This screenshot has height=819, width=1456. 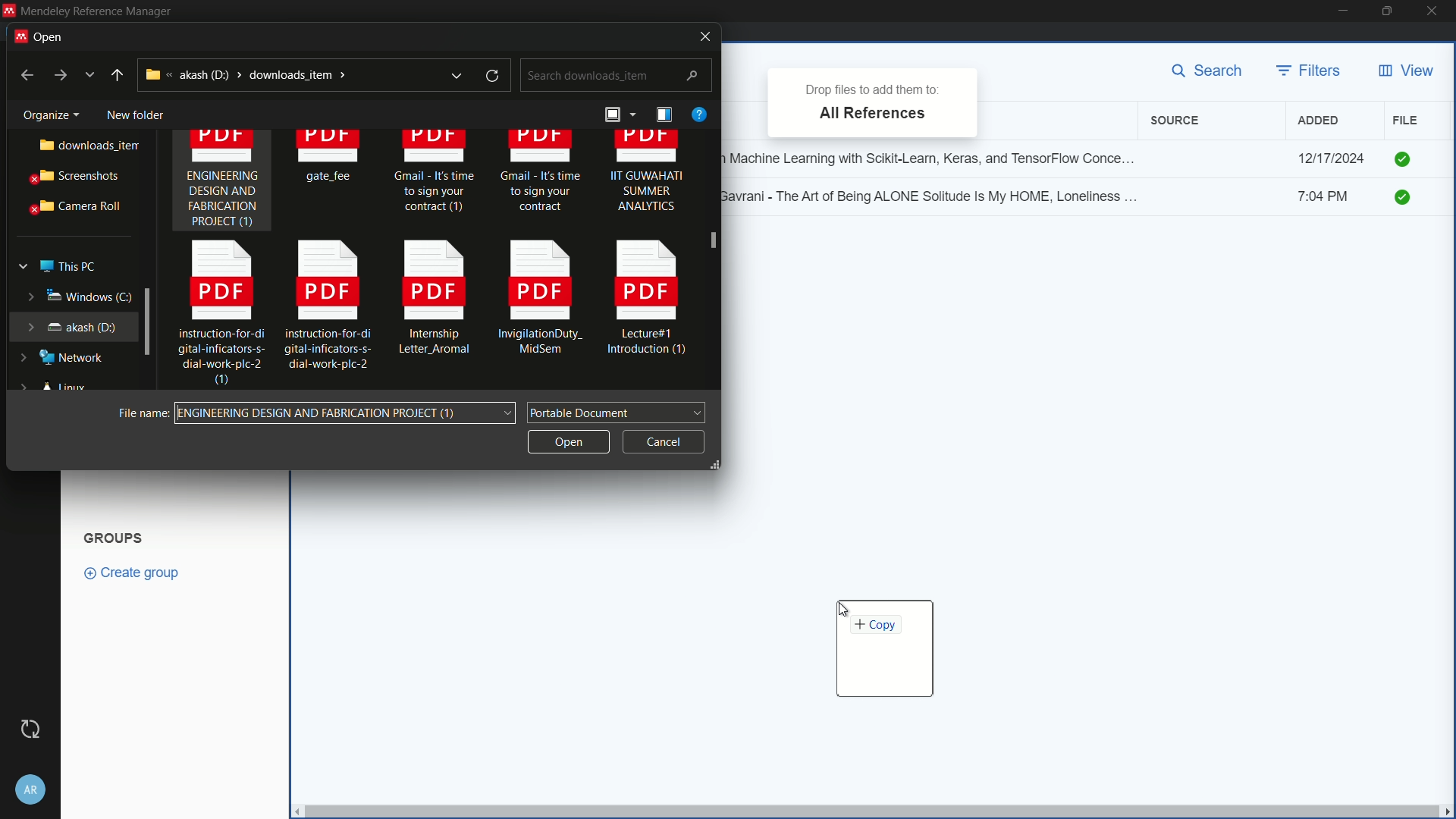 What do you see at coordinates (494, 76) in the screenshot?
I see `refresh` at bounding box center [494, 76].